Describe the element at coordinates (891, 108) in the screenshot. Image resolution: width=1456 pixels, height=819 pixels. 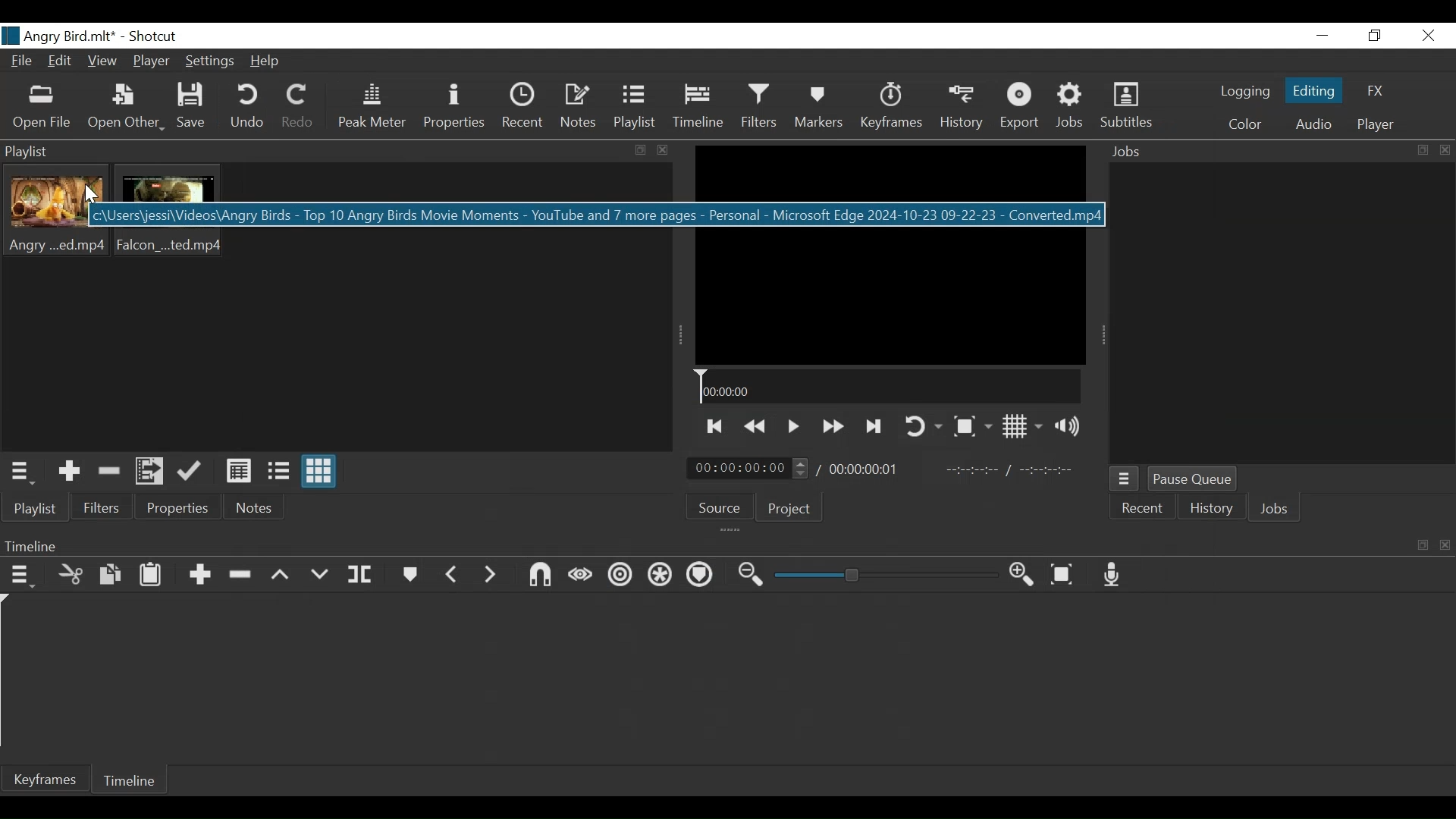
I see `Keyframes` at that location.